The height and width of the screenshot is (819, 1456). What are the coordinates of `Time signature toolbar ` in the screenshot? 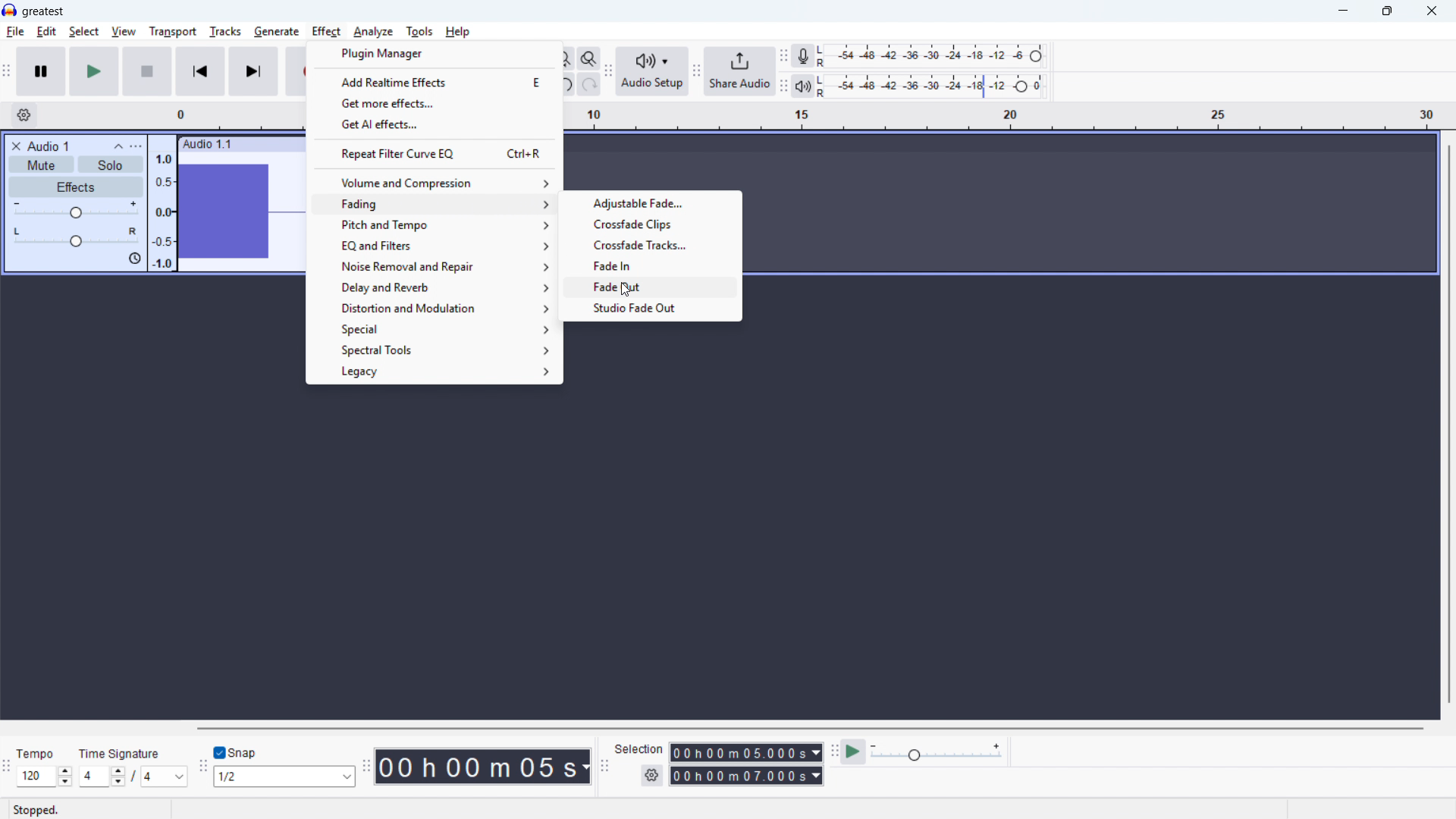 It's located at (8, 770).